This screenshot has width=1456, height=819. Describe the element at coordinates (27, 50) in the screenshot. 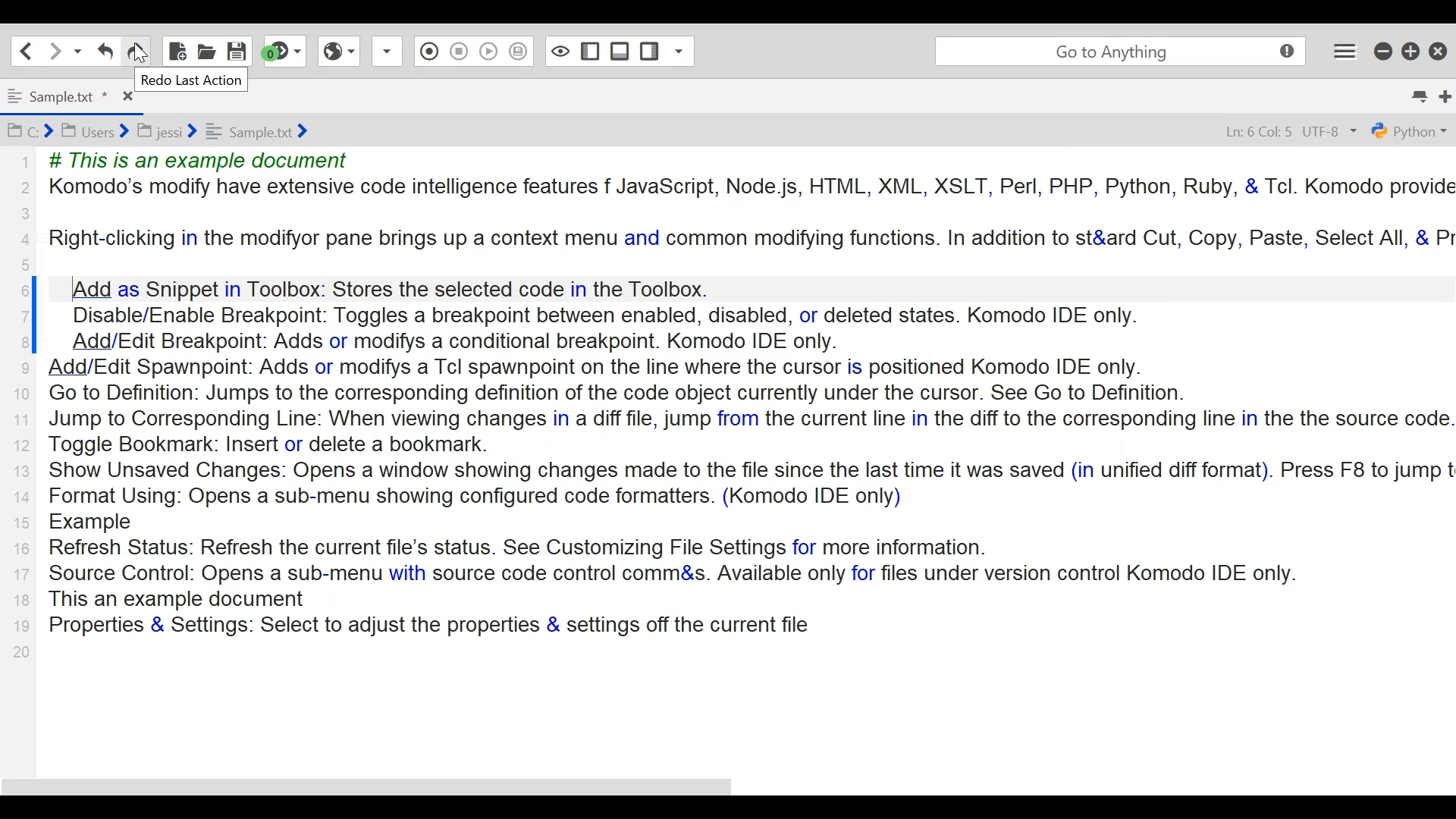

I see `Go back one file location` at that location.